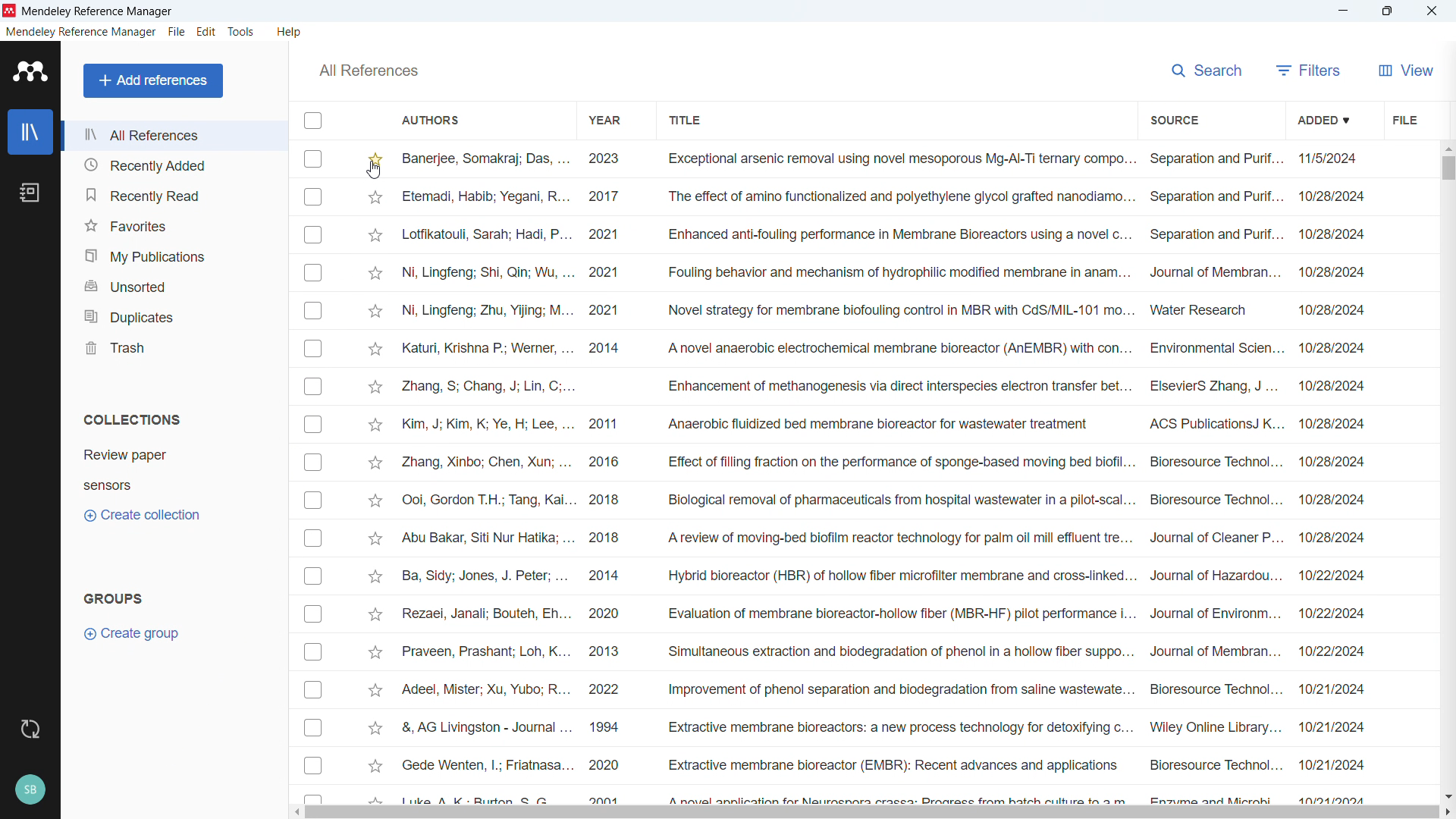 Image resolution: width=1456 pixels, height=819 pixels. Describe the element at coordinates (372, 475) in the screenshot. I see `Click to starmark individual entry` at that location.